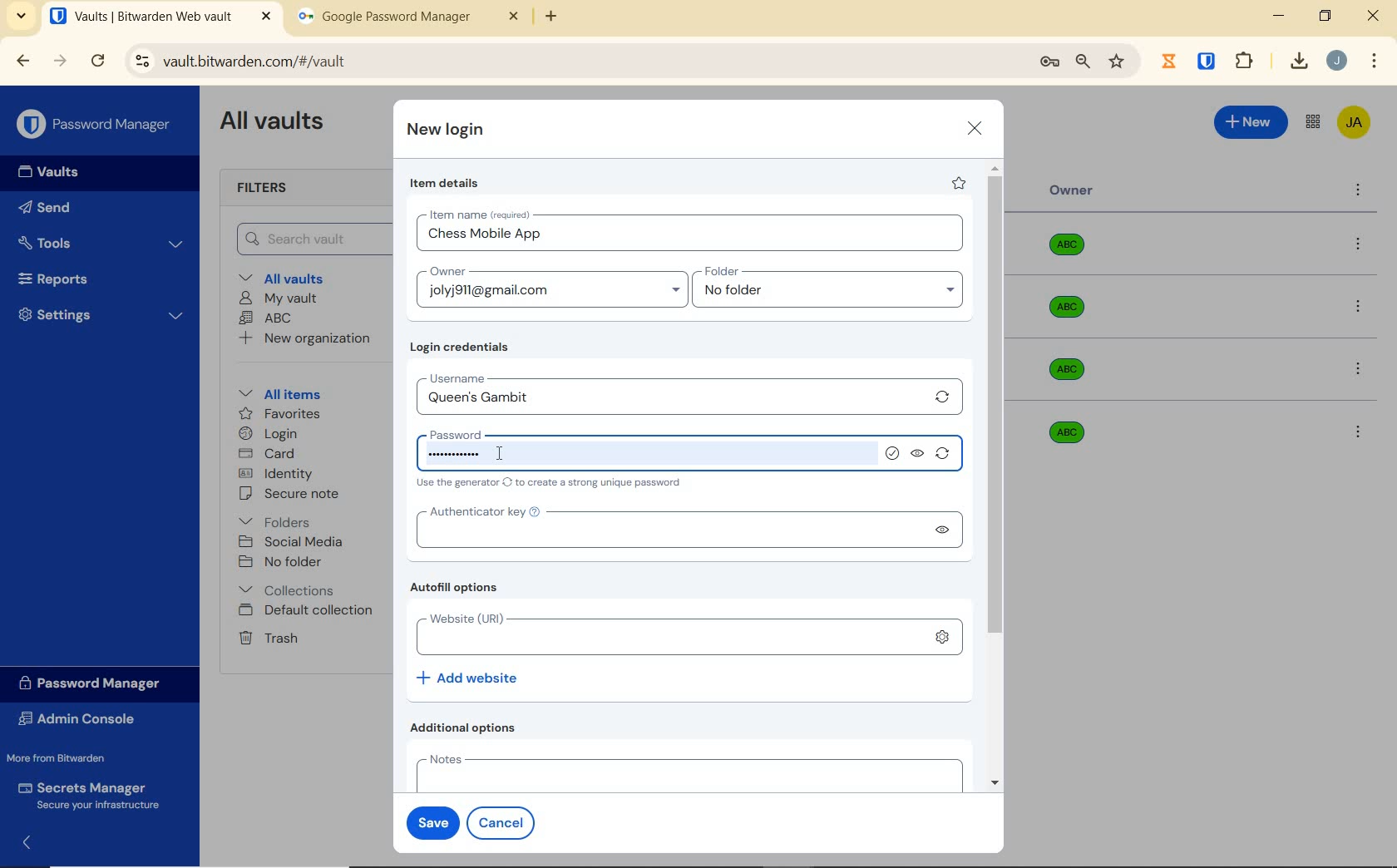 The width and height of the screenshot is (1397, 868). What do you see at coordinates (469, 677) in the screenshot?
I see `Add website` at bounding box center [469, 677].